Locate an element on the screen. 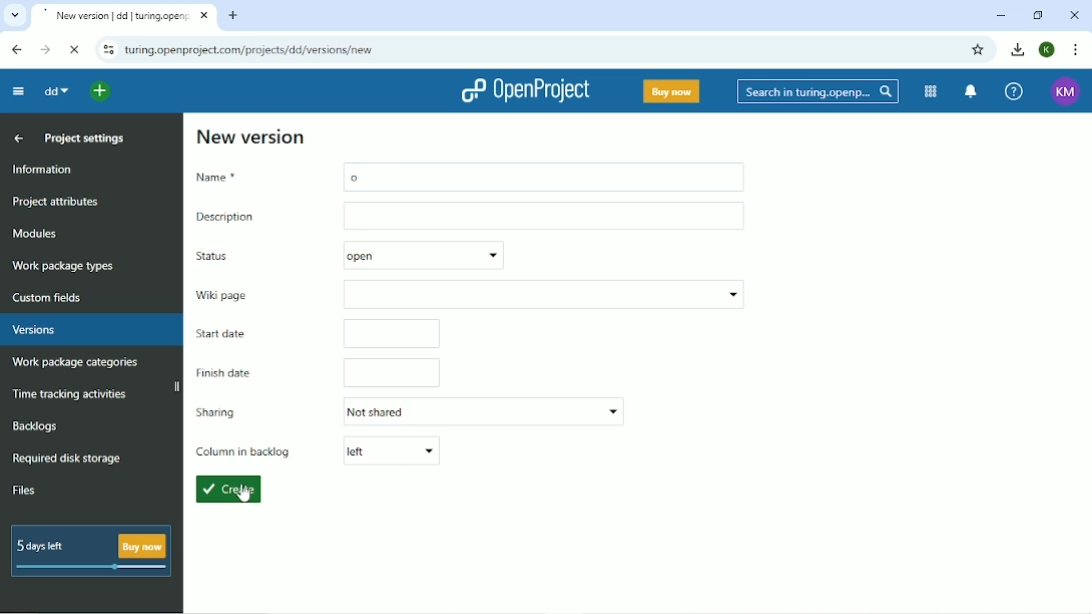 This screenshot has width=1092, height=614. Bookmark this tab is located at coordinates (977, 50).